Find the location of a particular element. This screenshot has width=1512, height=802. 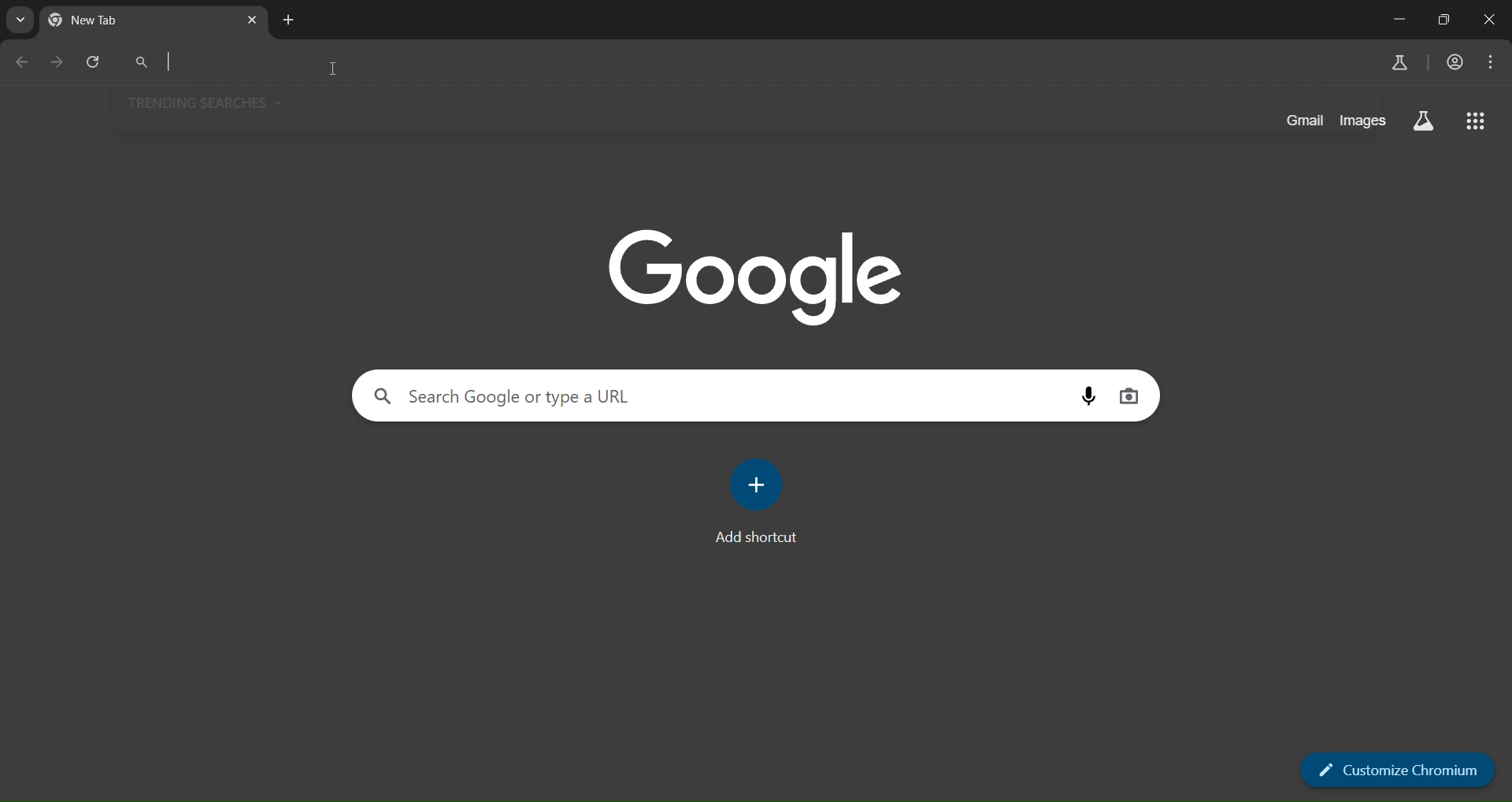

image search is located at coordinates (1134, 398).